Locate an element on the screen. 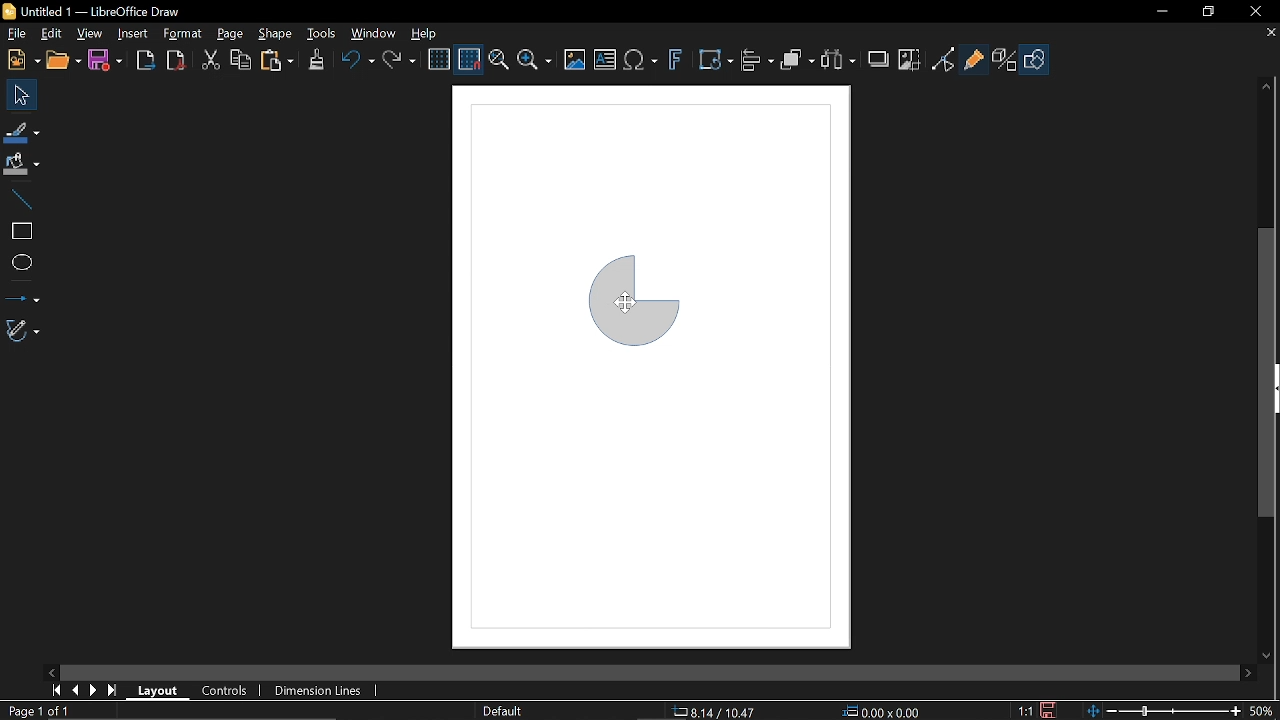 This screenshot has height=720, width=1280. View is located at coordinates (88, 34).